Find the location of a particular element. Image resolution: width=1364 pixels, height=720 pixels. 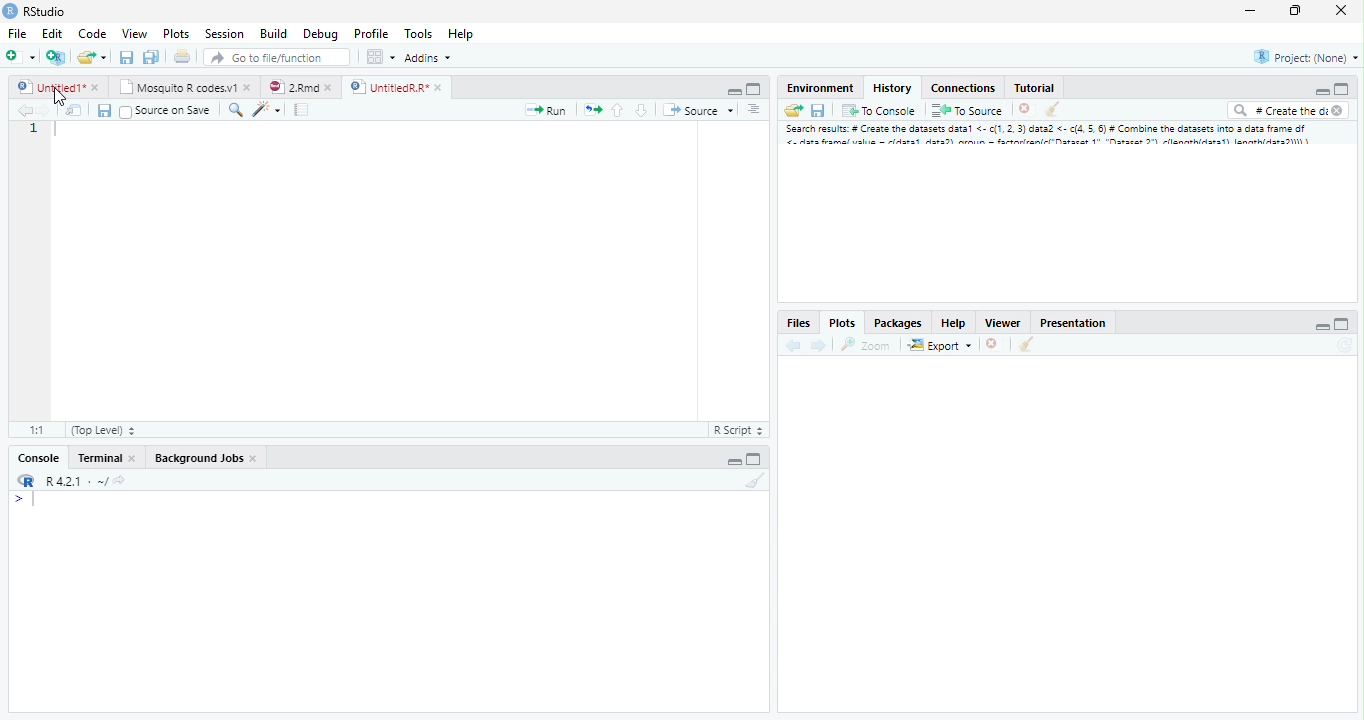

Plots is located at coordinates (176, 35).